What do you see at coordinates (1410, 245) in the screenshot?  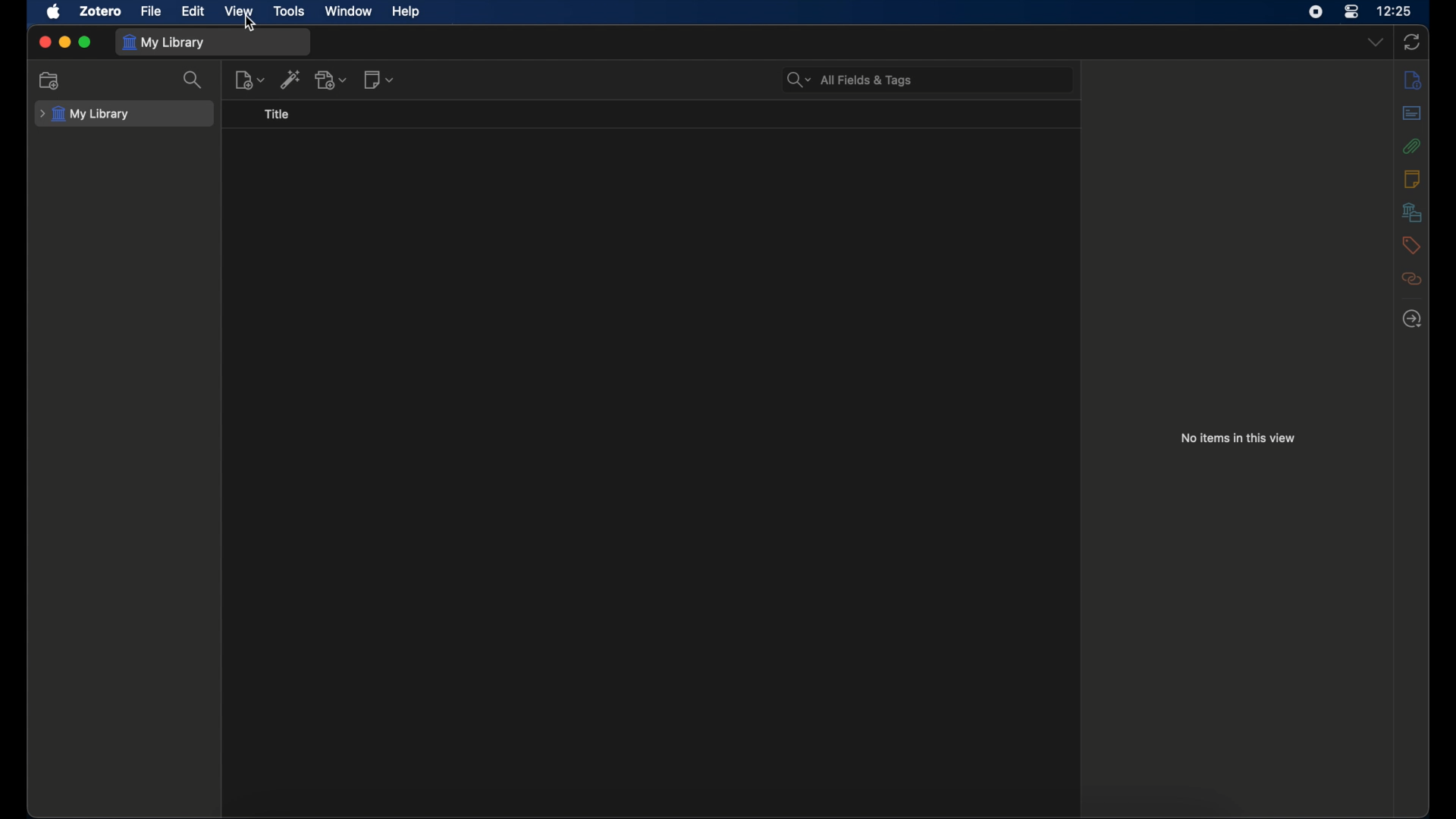 I see `tags` at bounding box center [1410, 245].